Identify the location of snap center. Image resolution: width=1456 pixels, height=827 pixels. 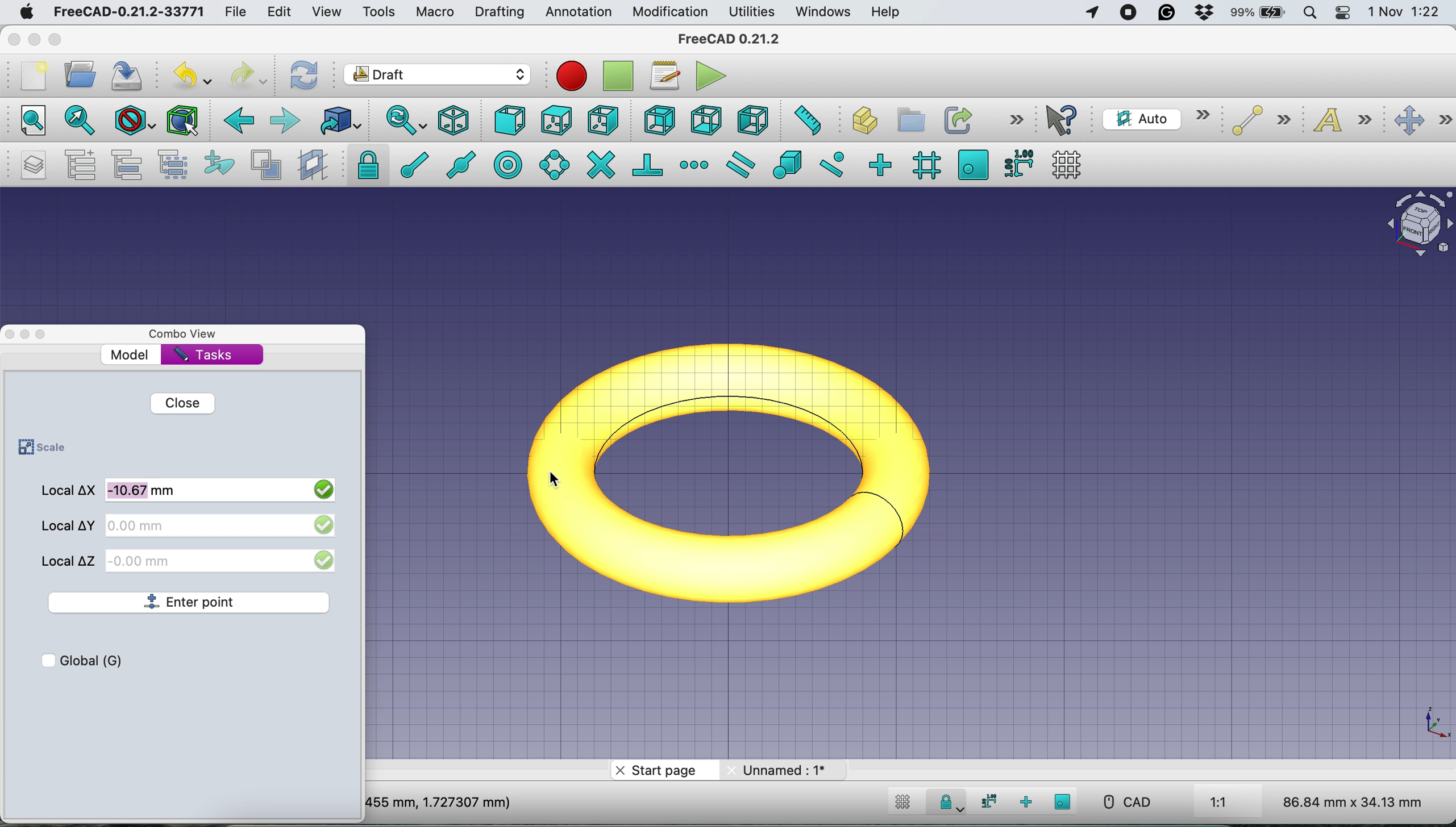
(509, 164).